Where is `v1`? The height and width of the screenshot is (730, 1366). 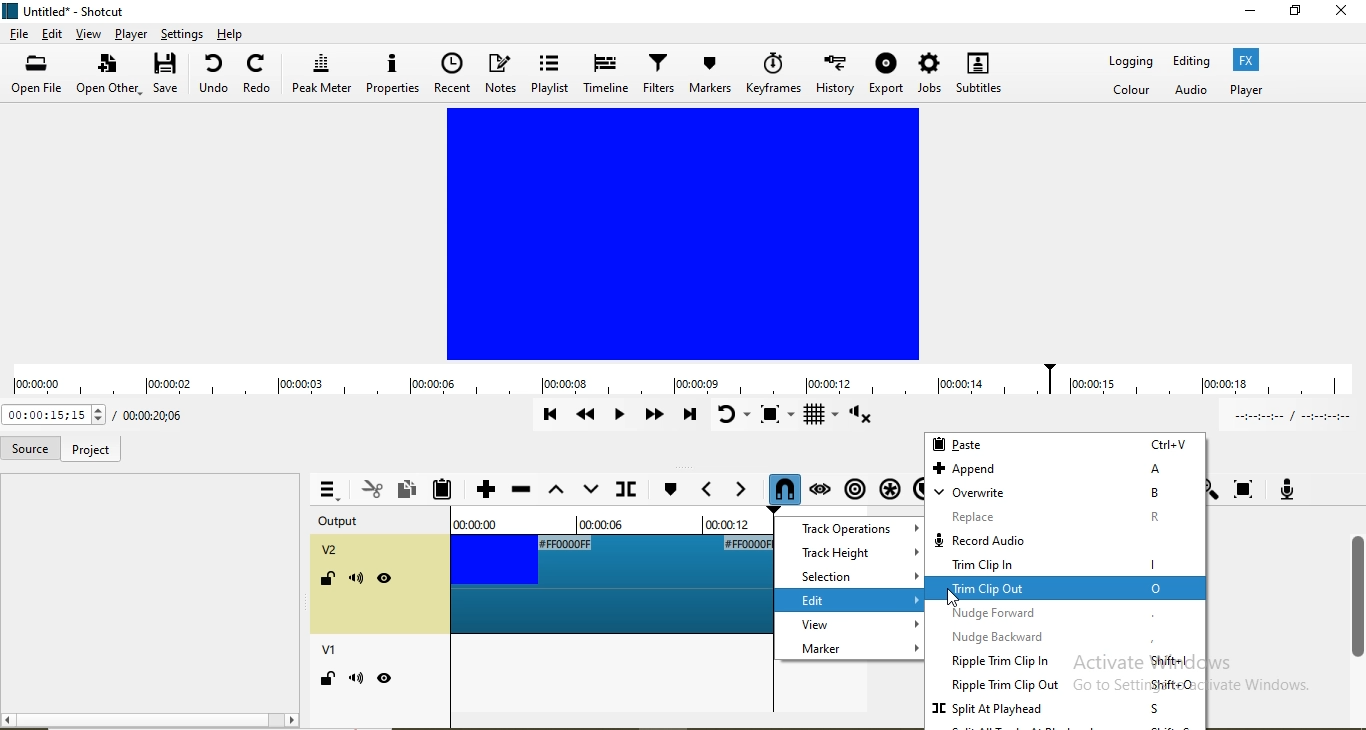
v1 is located at coordinates (332, 652).